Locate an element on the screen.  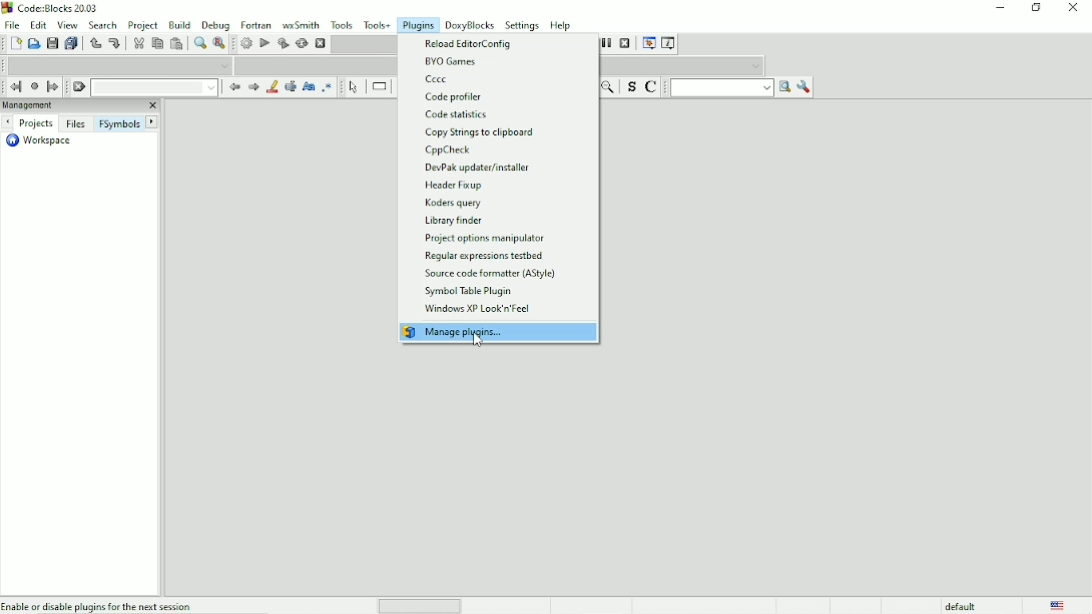
Undo is located at coordinates (94, 43).